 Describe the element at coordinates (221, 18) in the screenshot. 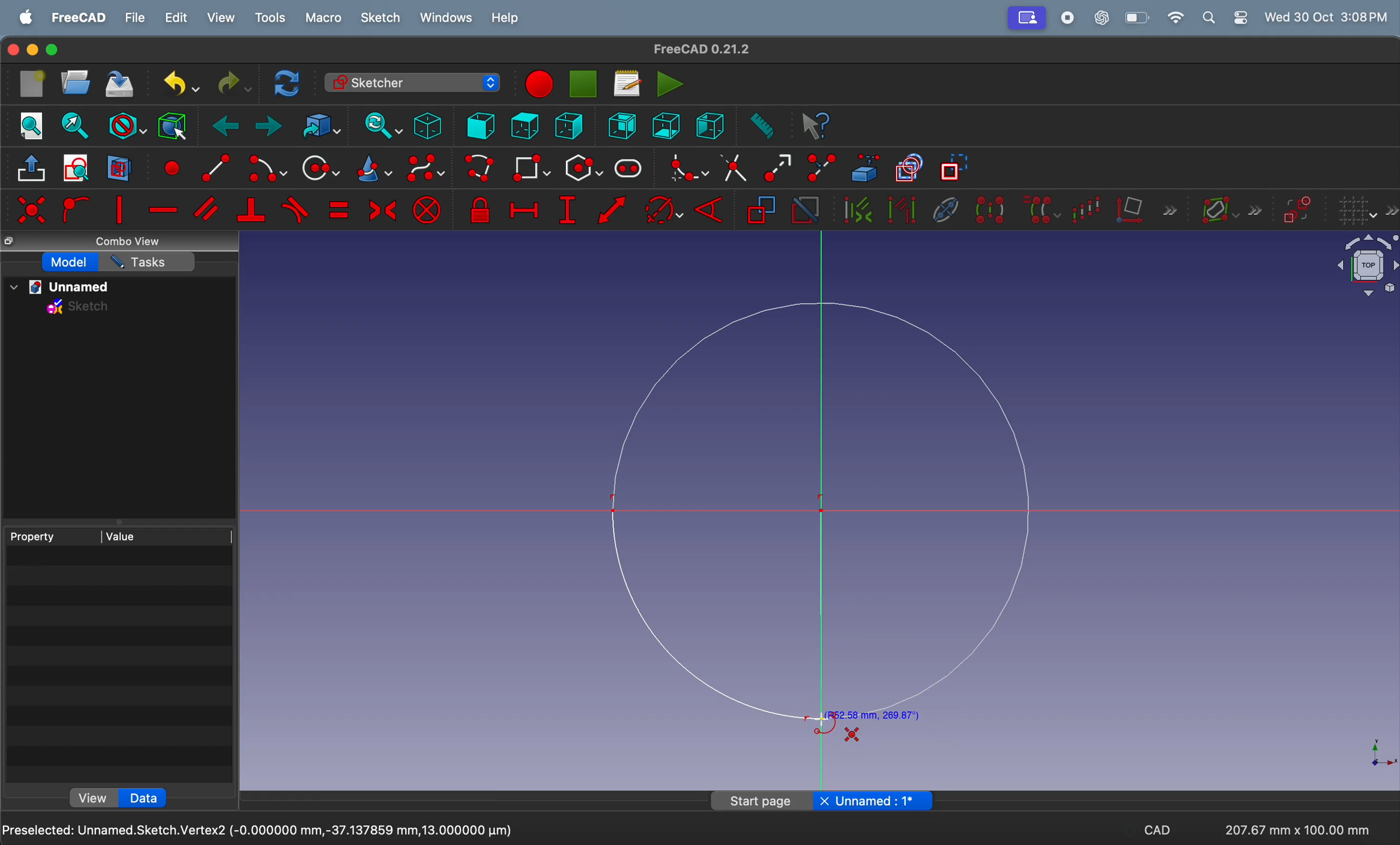

I see `view` at that location.